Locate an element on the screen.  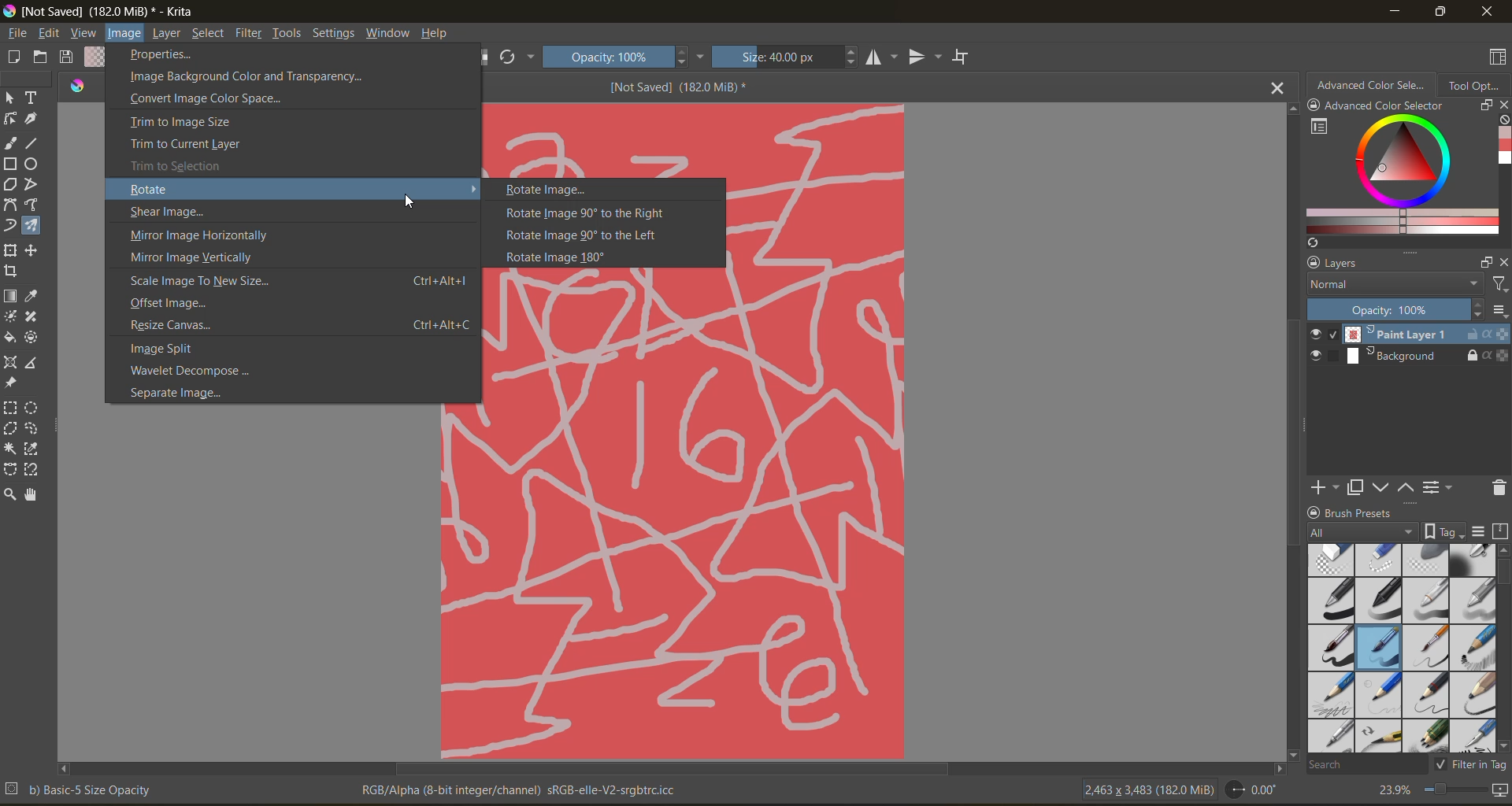
flip horizontally is located at coordinates (884, 58).